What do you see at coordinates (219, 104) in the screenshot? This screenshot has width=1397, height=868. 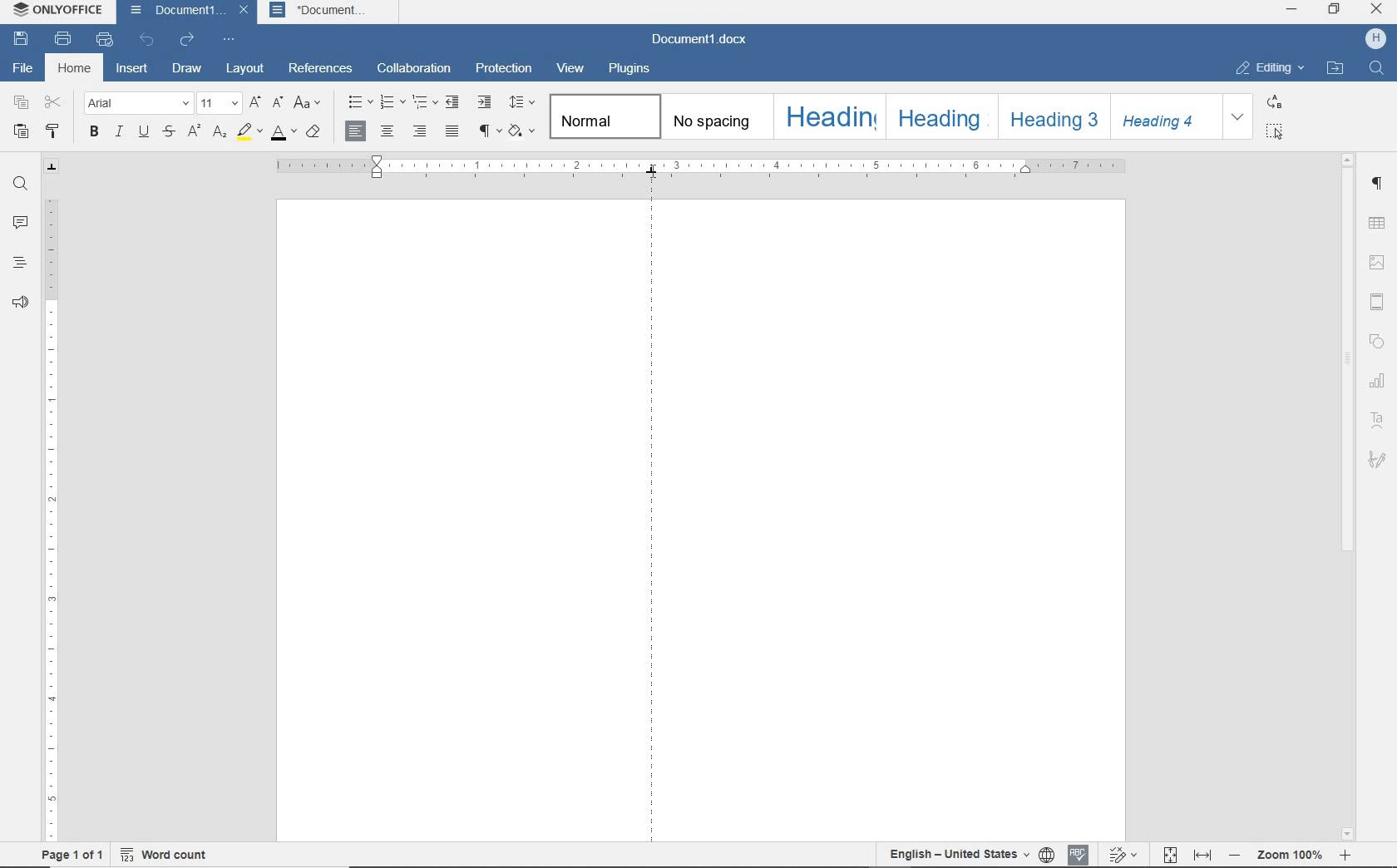 I see `FONT SIZE` at bounding box center [219, 104].